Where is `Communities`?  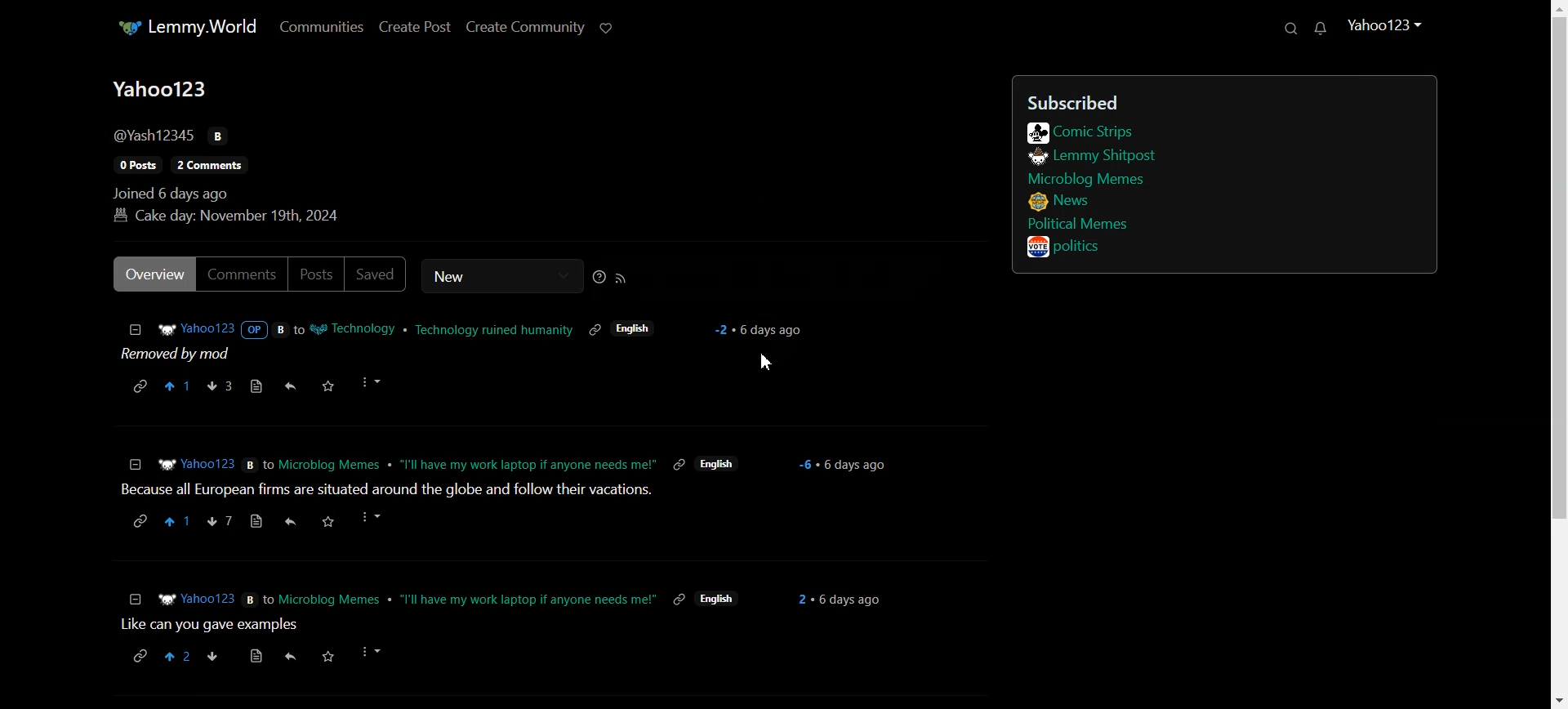
Communities is located at coordinates (323, 25).